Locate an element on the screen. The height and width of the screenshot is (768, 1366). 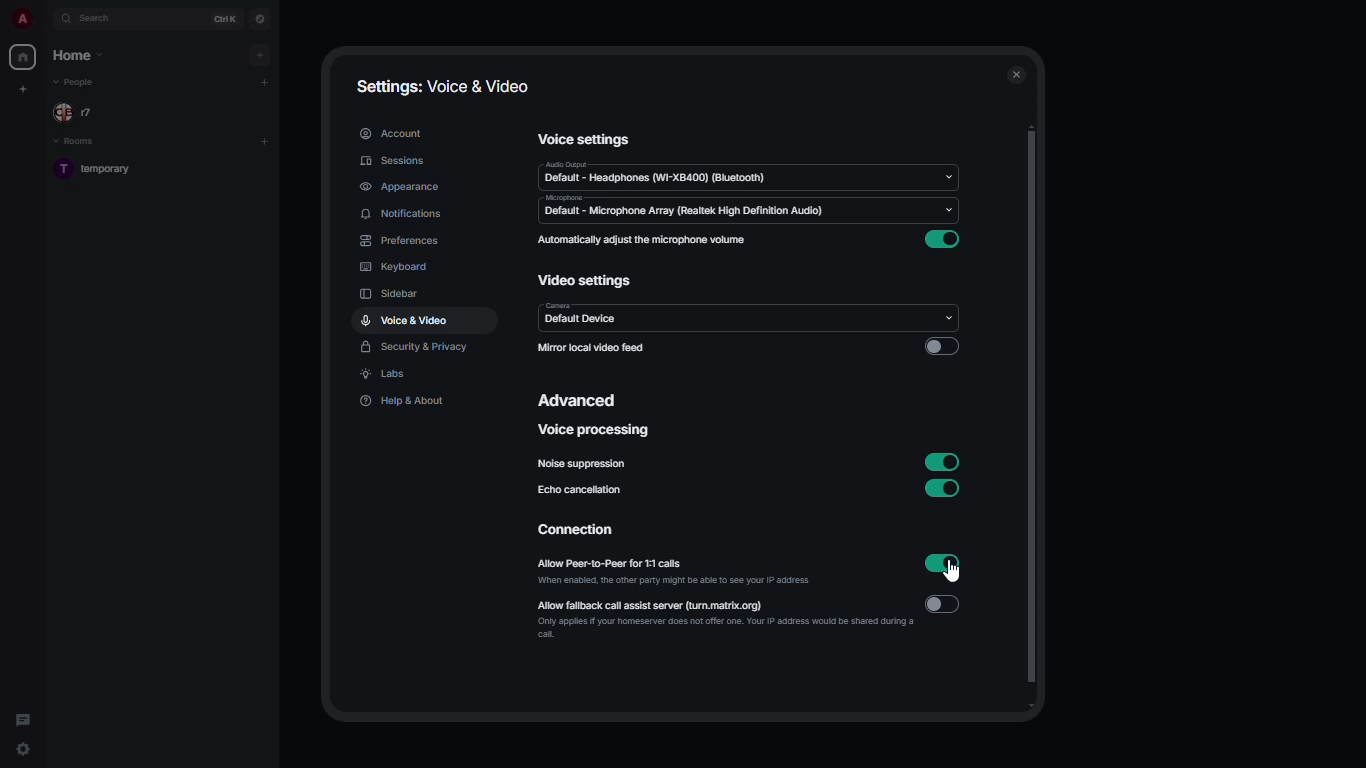
connection is located at coordinates (580, 533).